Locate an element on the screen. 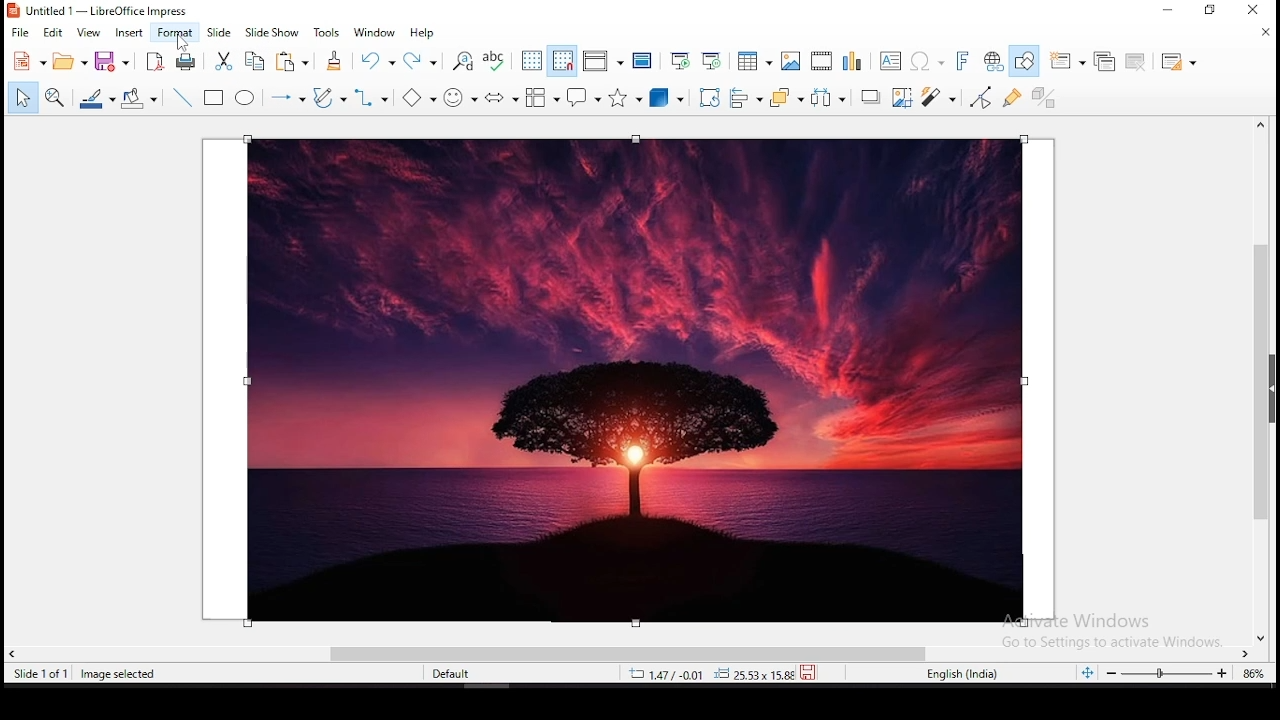 This screenshot has height=720, width=1280. insert is located at coordinates (129, 33).